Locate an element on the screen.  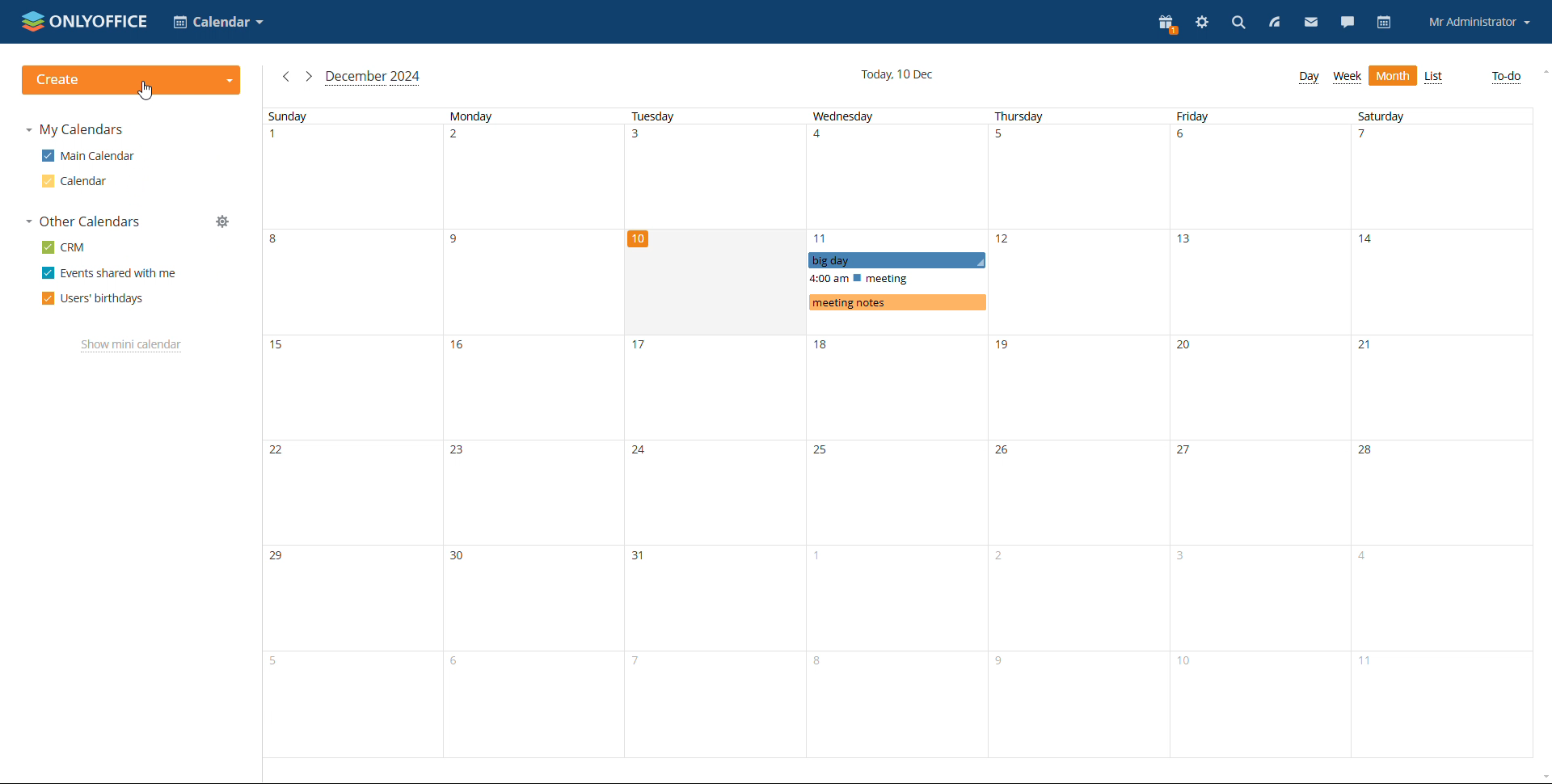
current month is located at coordinates (373, 78).